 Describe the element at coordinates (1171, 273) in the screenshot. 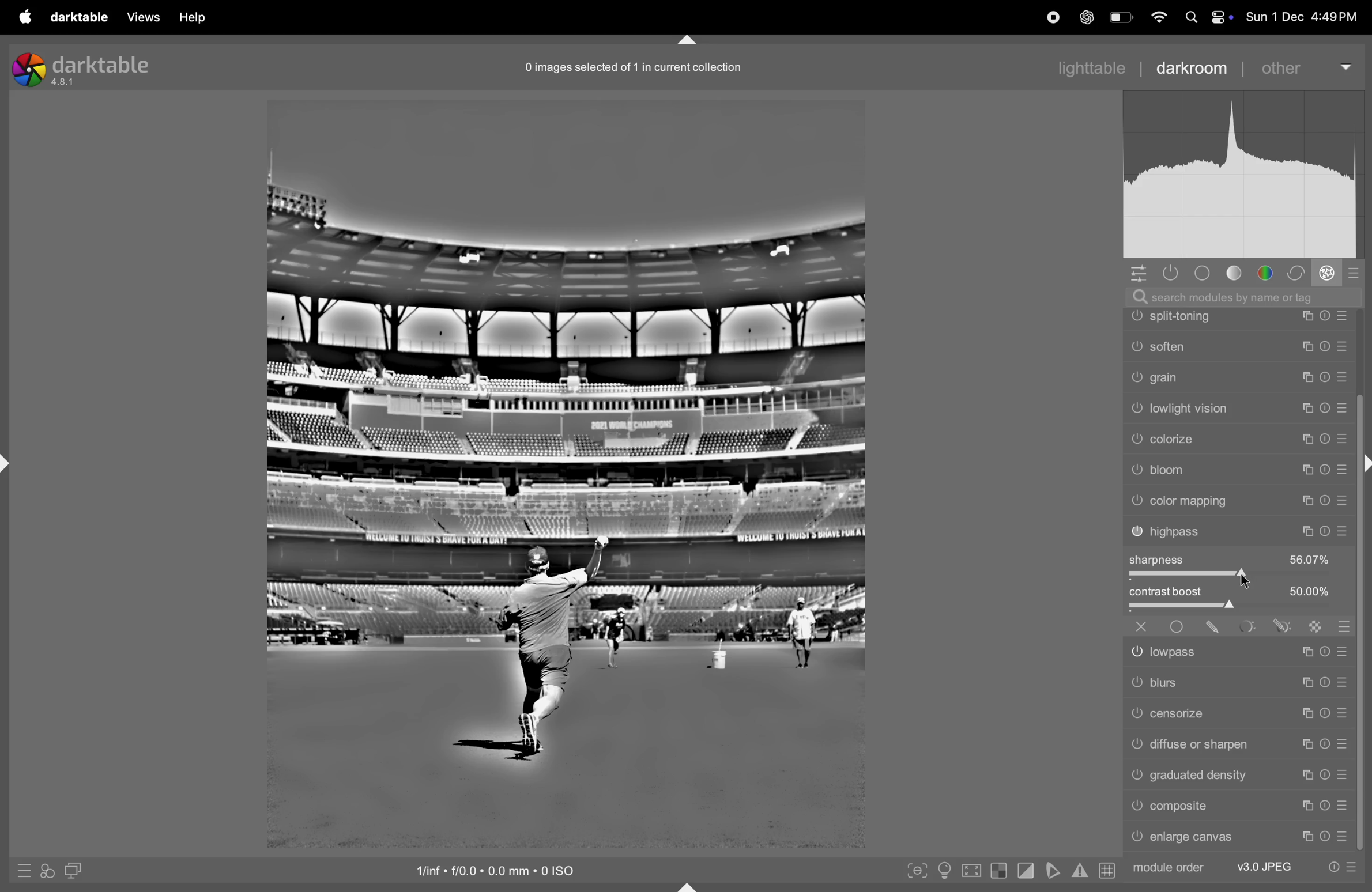

I see `show only active modules` at that location.